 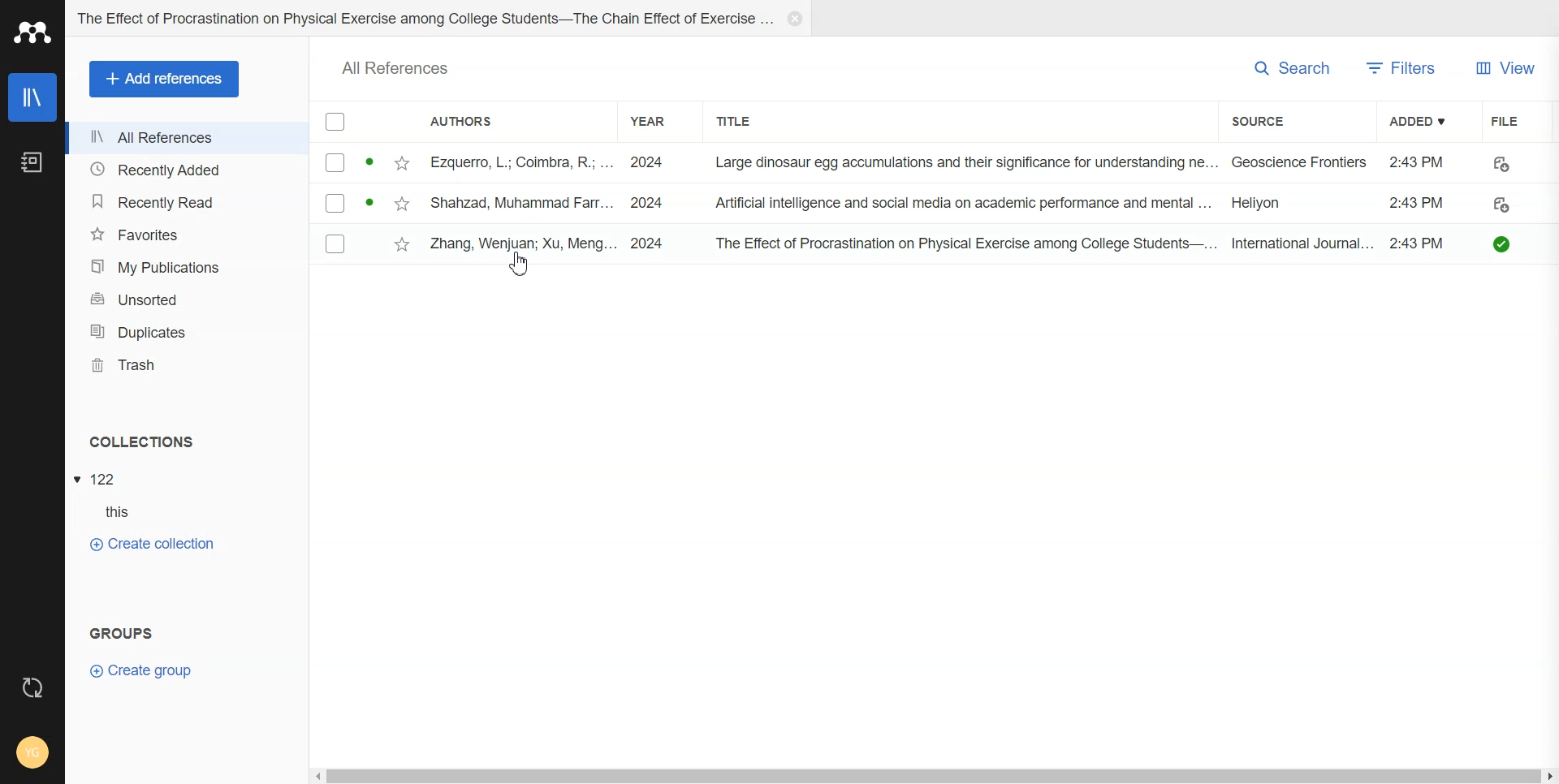 What do you see at coordinates (1416, 159) in the screenshot?
I see `2:43PM` at bounding box center [1416, 159].